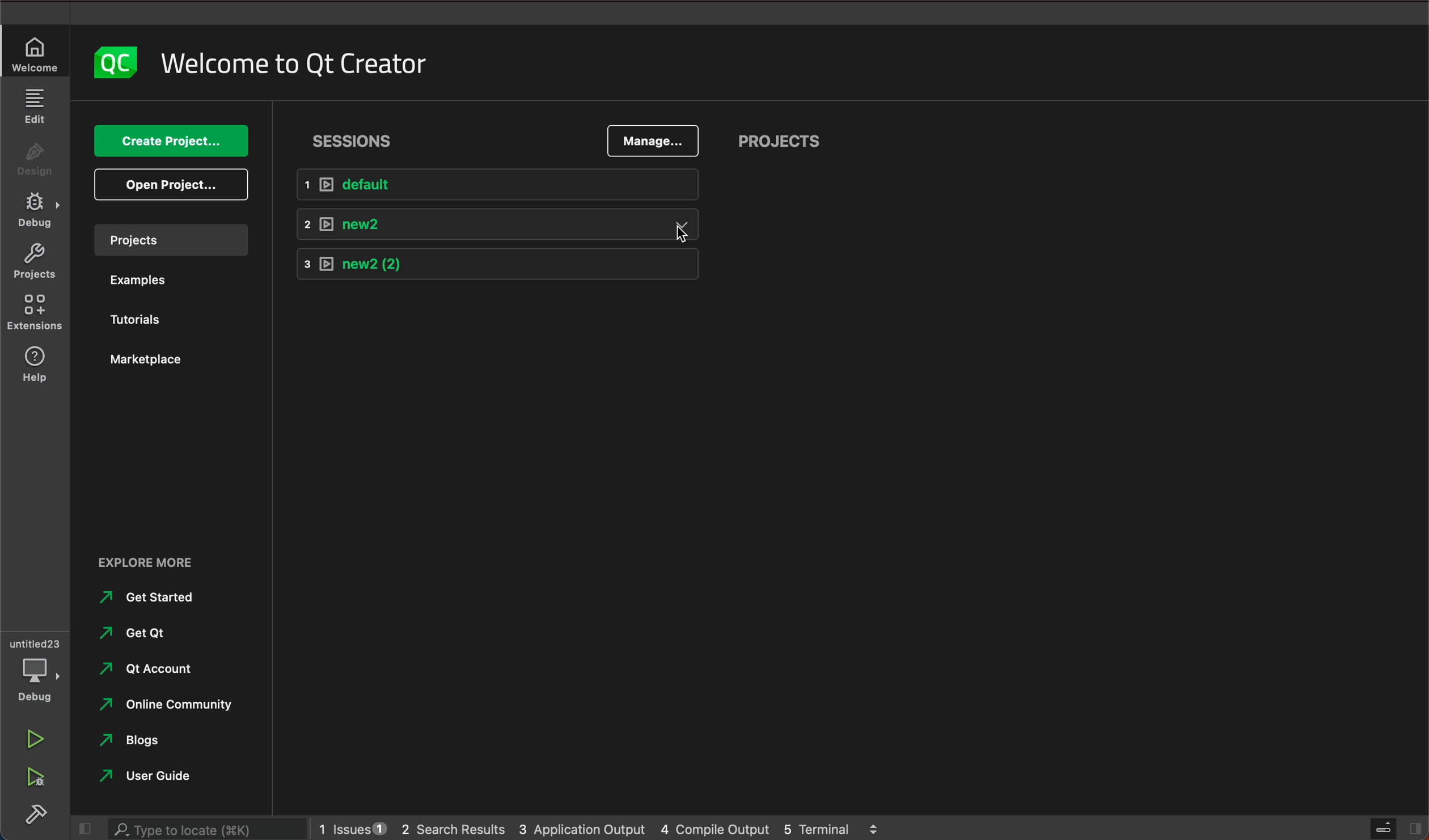 Image resolution: width=1429 pixels, height=840 pixels. Describe the element at coordinates (496, 265) in the screenshot. I see `new 2` at that location.